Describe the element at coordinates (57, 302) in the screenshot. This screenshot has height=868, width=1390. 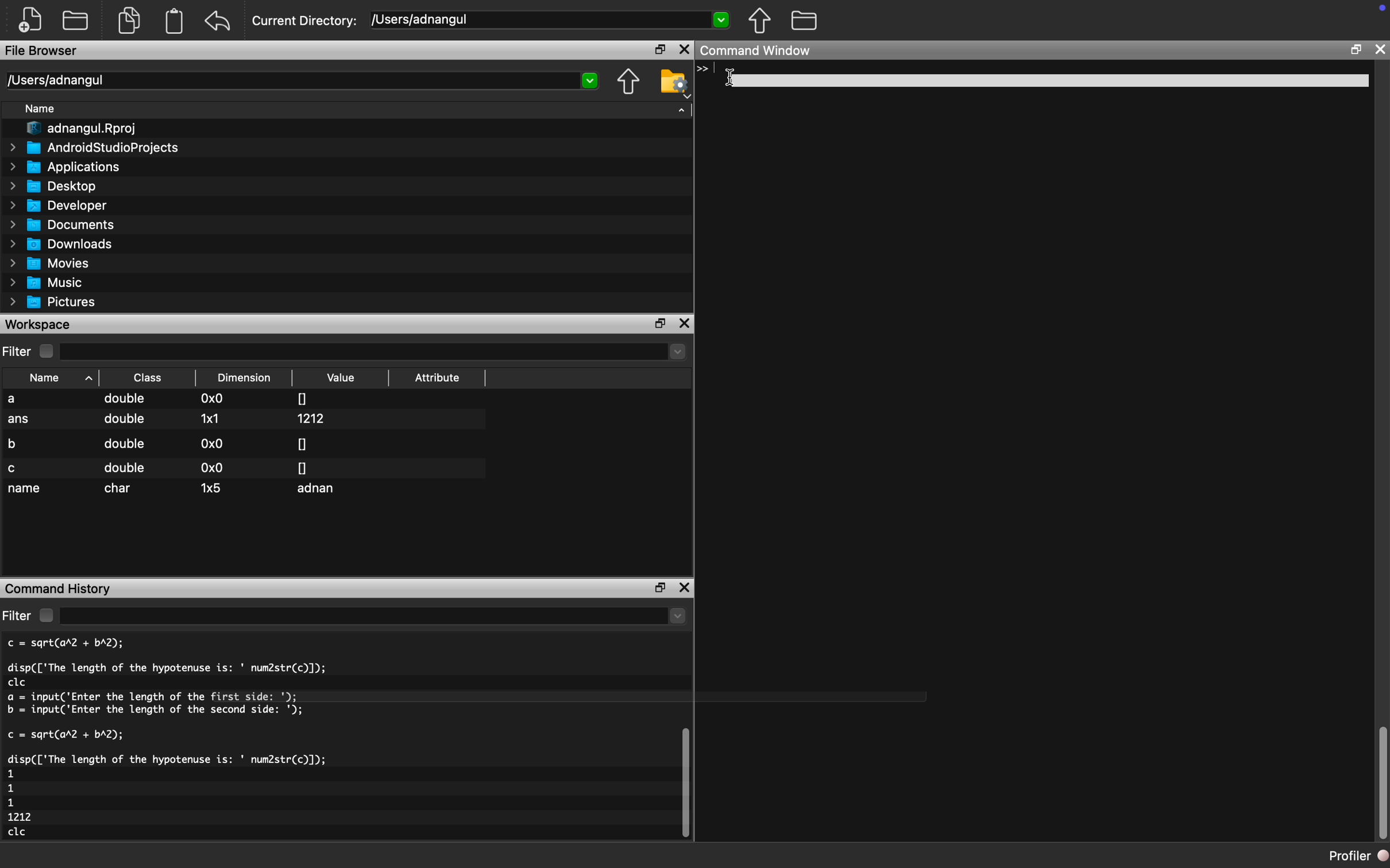
I see ` Pictures` at that location.